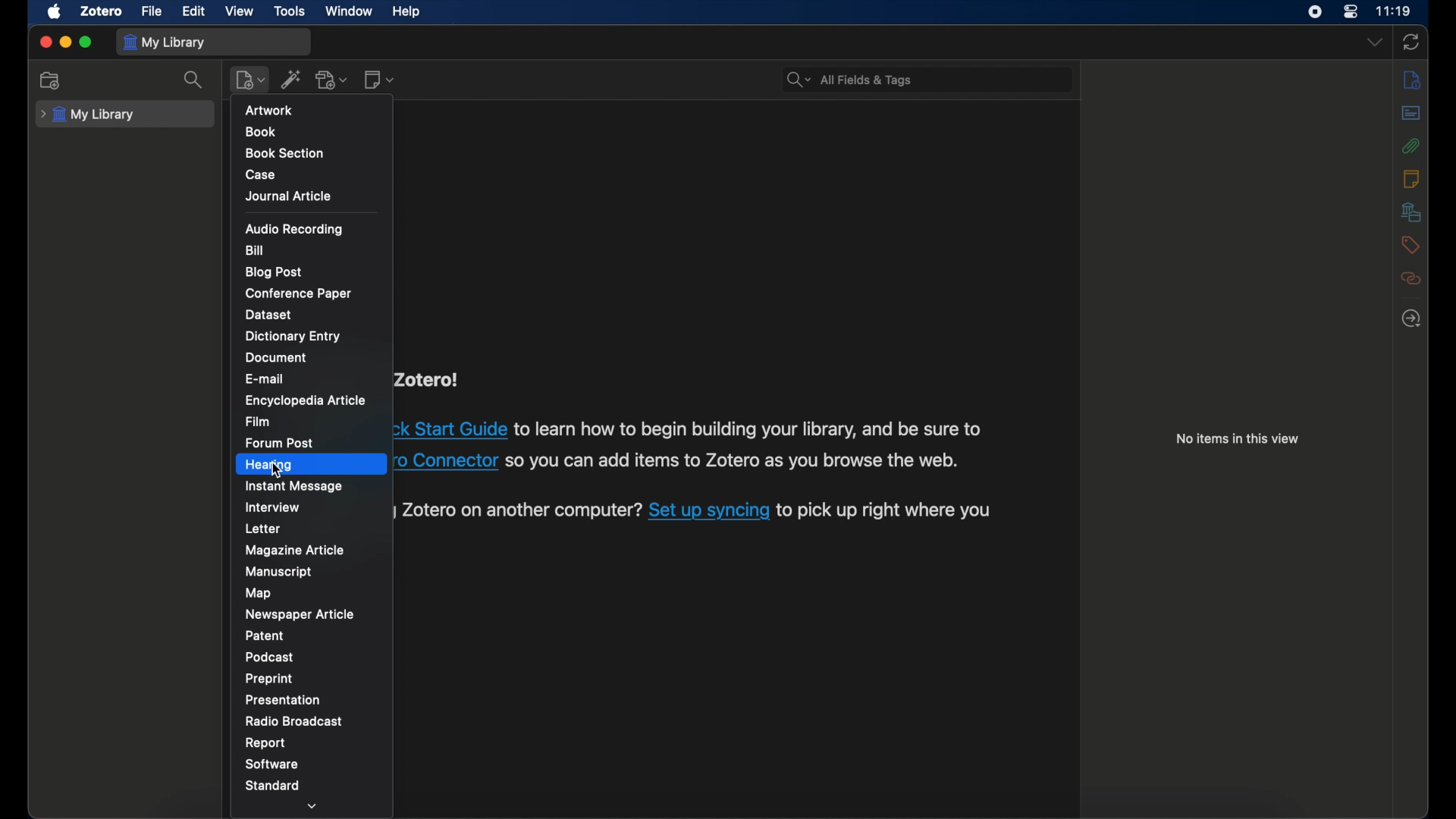 This screenshot has height=819, width=1456. What do you see at coordinates (259, 422) in the screenshot?
I see `film` at bounding box center [259, 422].